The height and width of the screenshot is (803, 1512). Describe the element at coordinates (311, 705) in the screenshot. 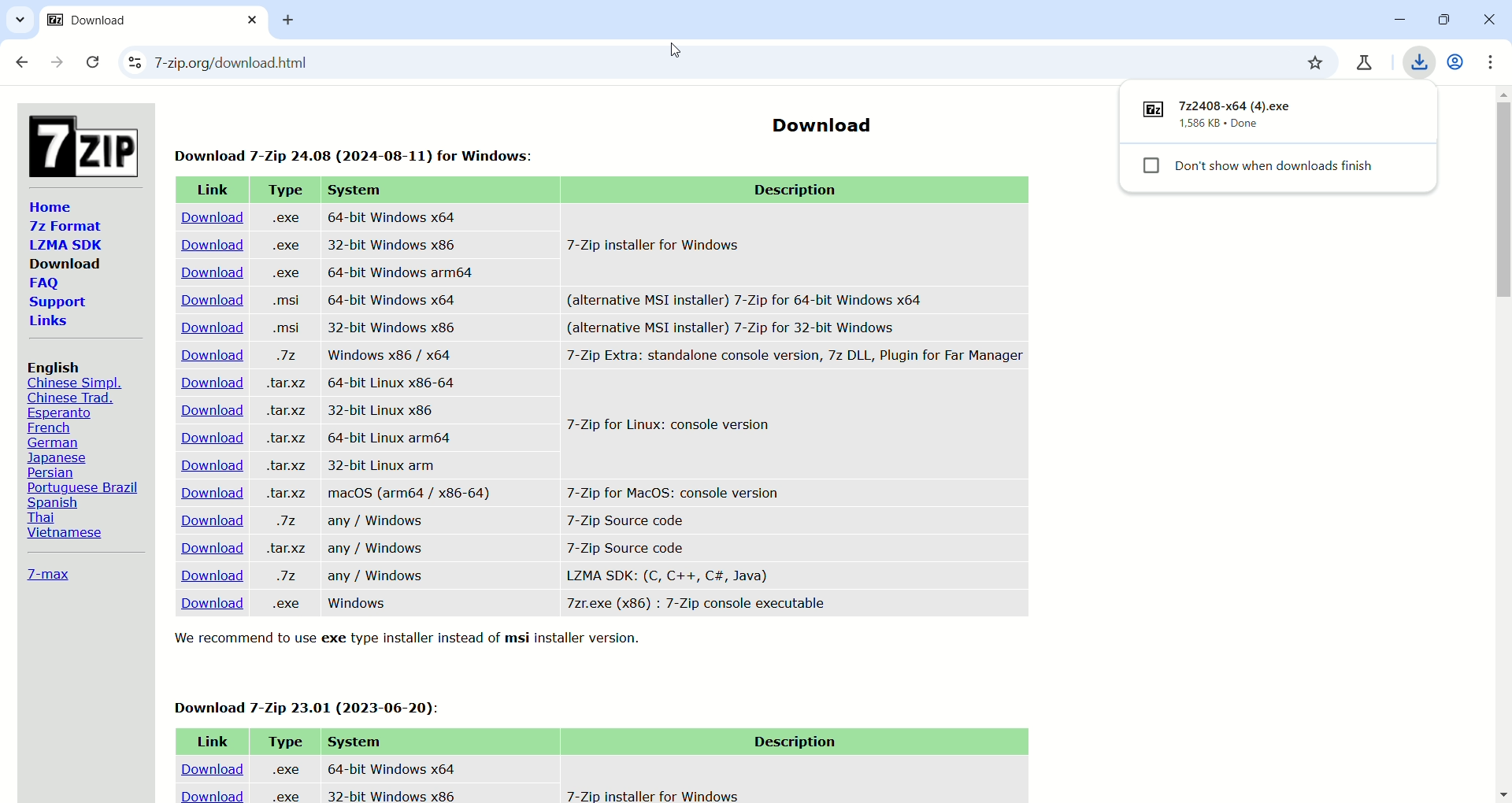

I see `Download 7-Zip 23.01 (2023-06-20):` at that location.